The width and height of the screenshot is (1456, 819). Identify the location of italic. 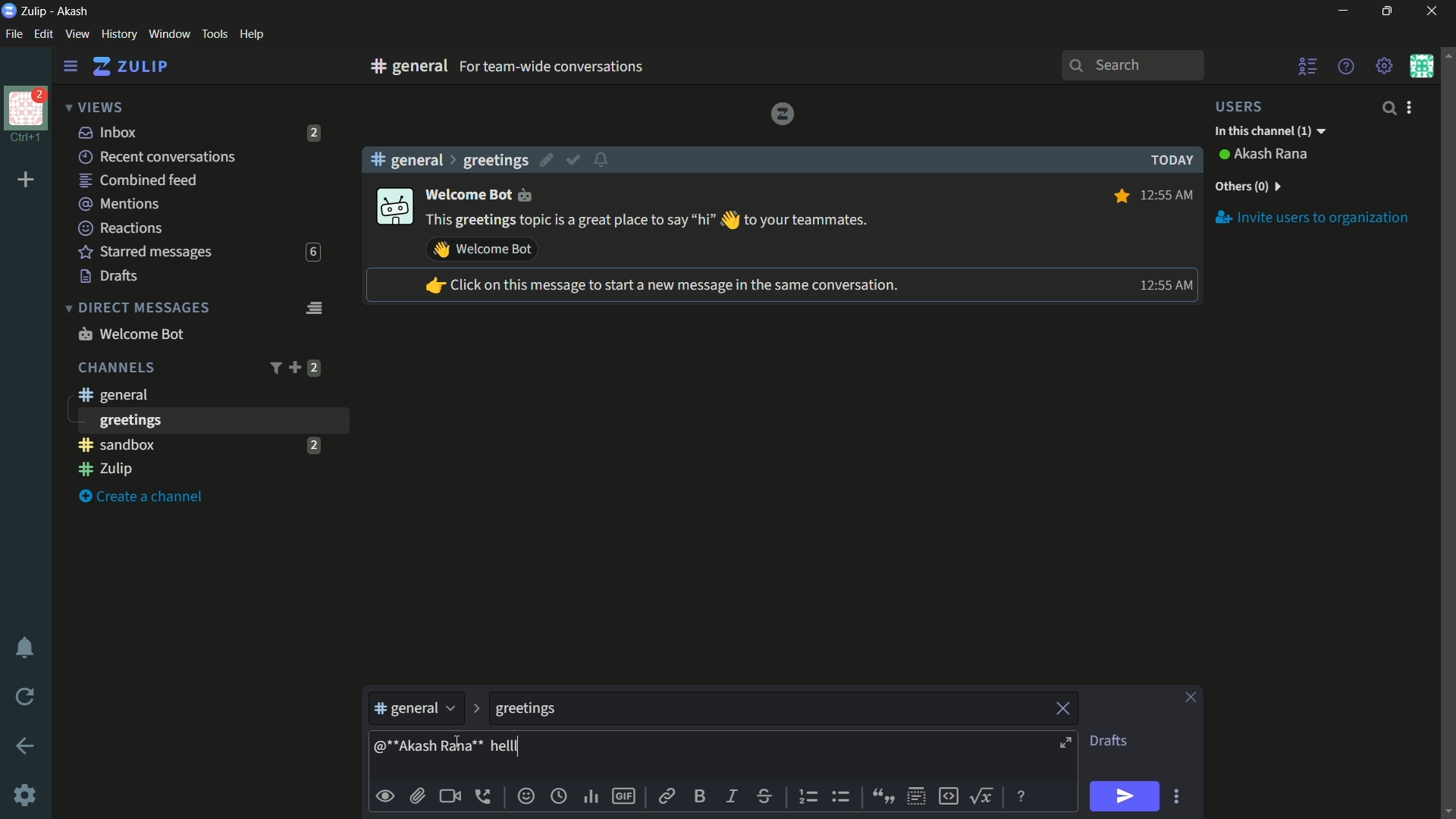
(730, 795).